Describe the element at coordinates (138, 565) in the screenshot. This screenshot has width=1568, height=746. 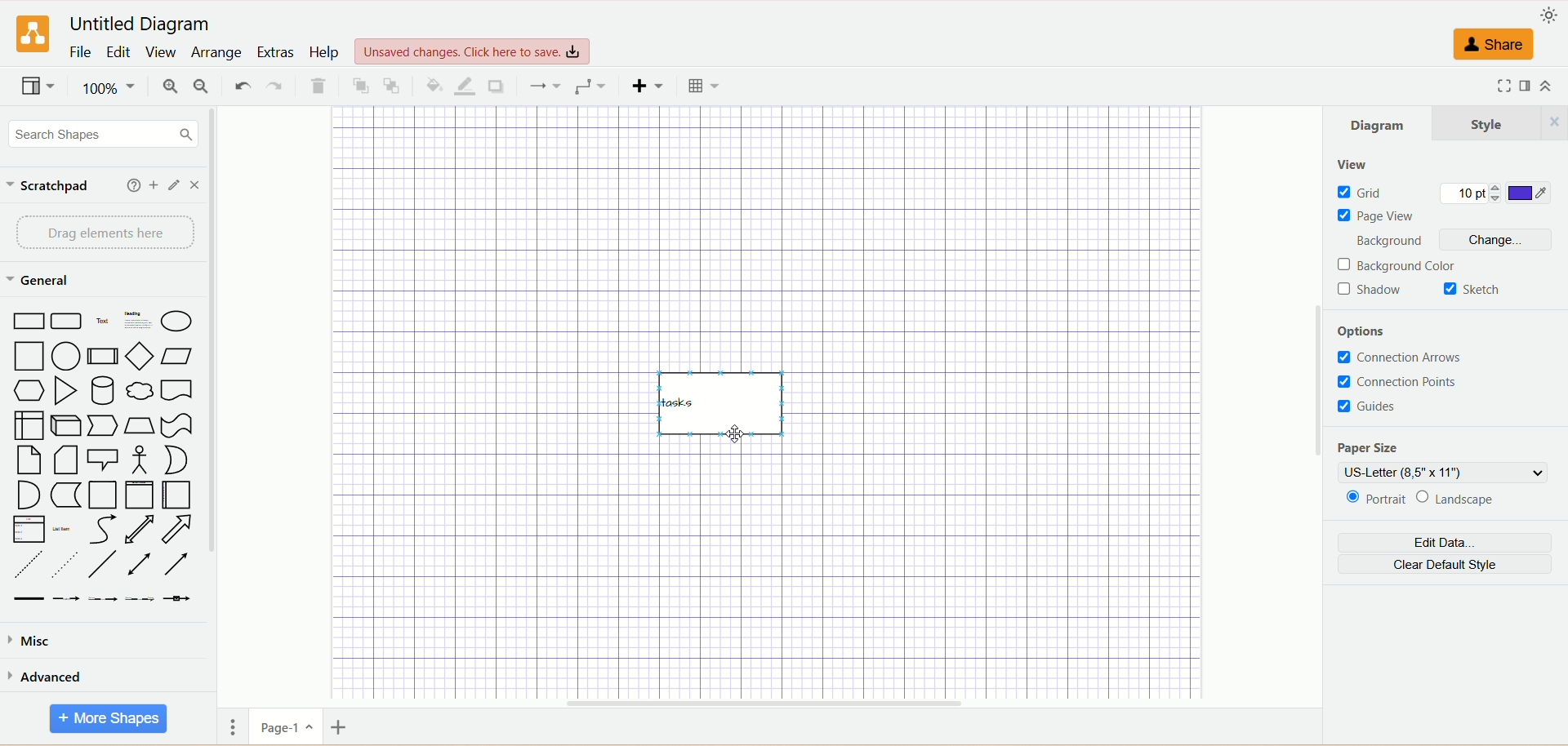
I see `Line with Double Arrows` at that location.